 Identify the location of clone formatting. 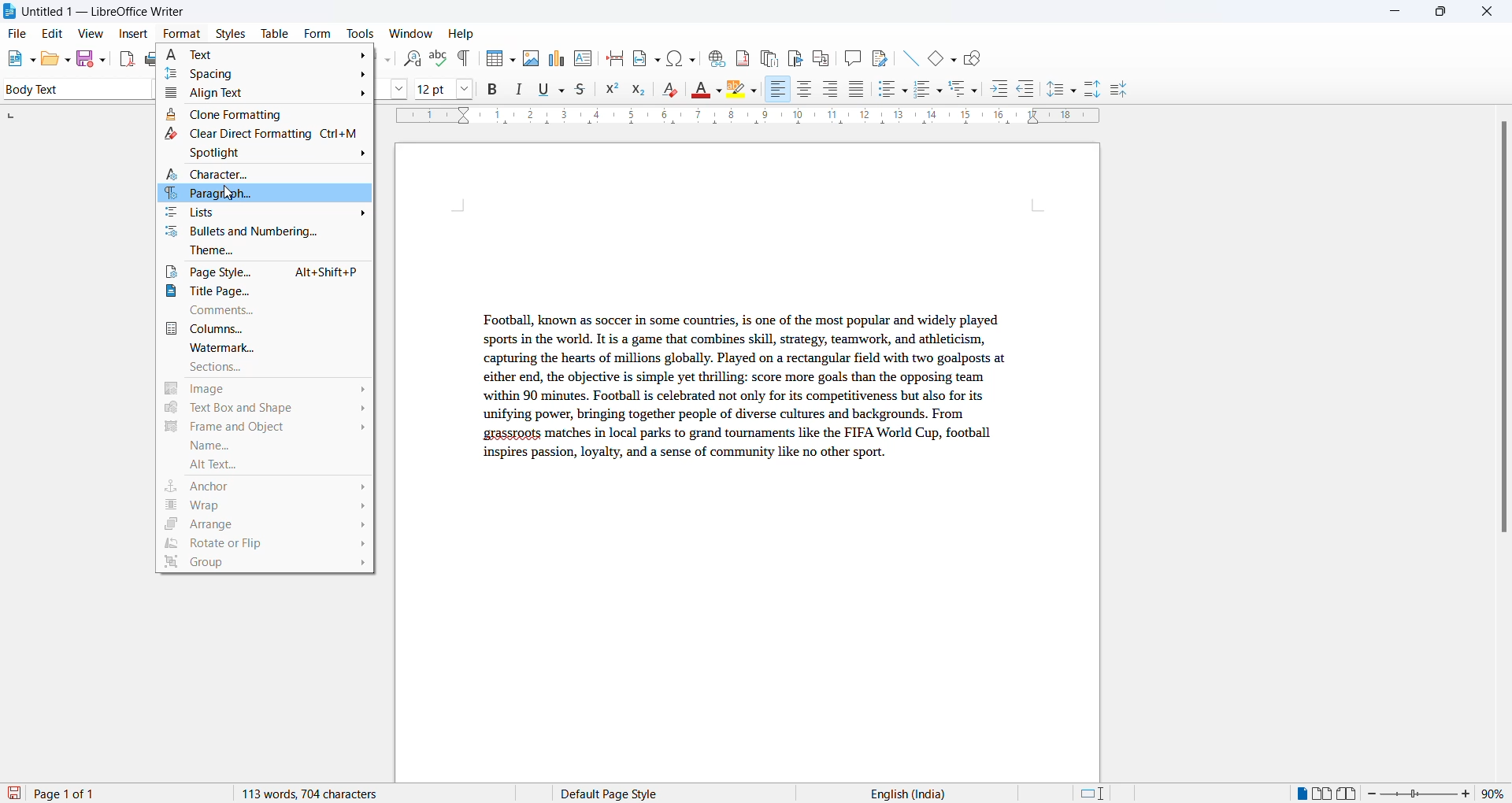
(264, 113).